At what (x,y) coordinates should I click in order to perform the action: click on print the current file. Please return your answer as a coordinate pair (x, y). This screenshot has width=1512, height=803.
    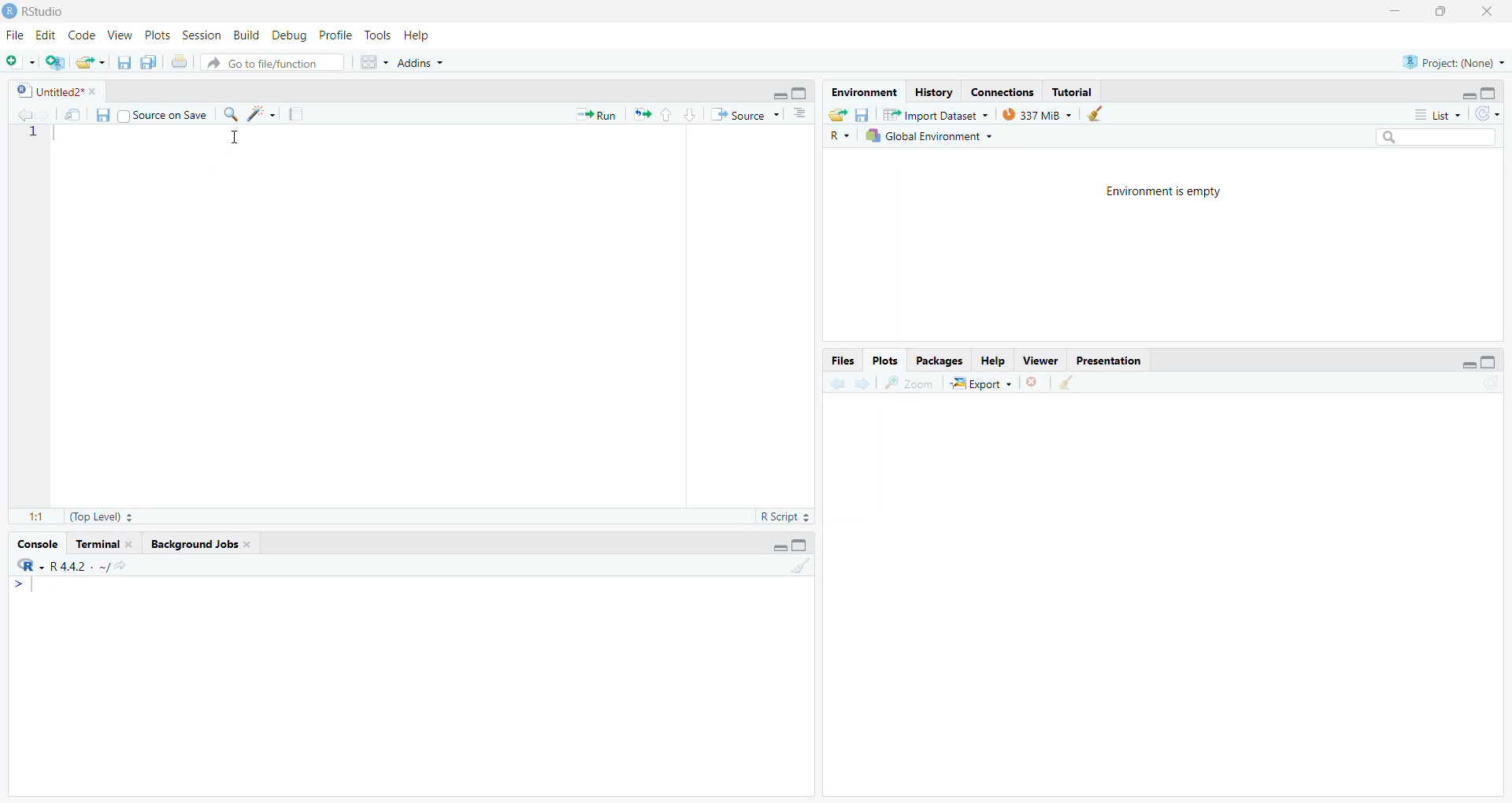
    Looking at the image, I should click on (179, 62).